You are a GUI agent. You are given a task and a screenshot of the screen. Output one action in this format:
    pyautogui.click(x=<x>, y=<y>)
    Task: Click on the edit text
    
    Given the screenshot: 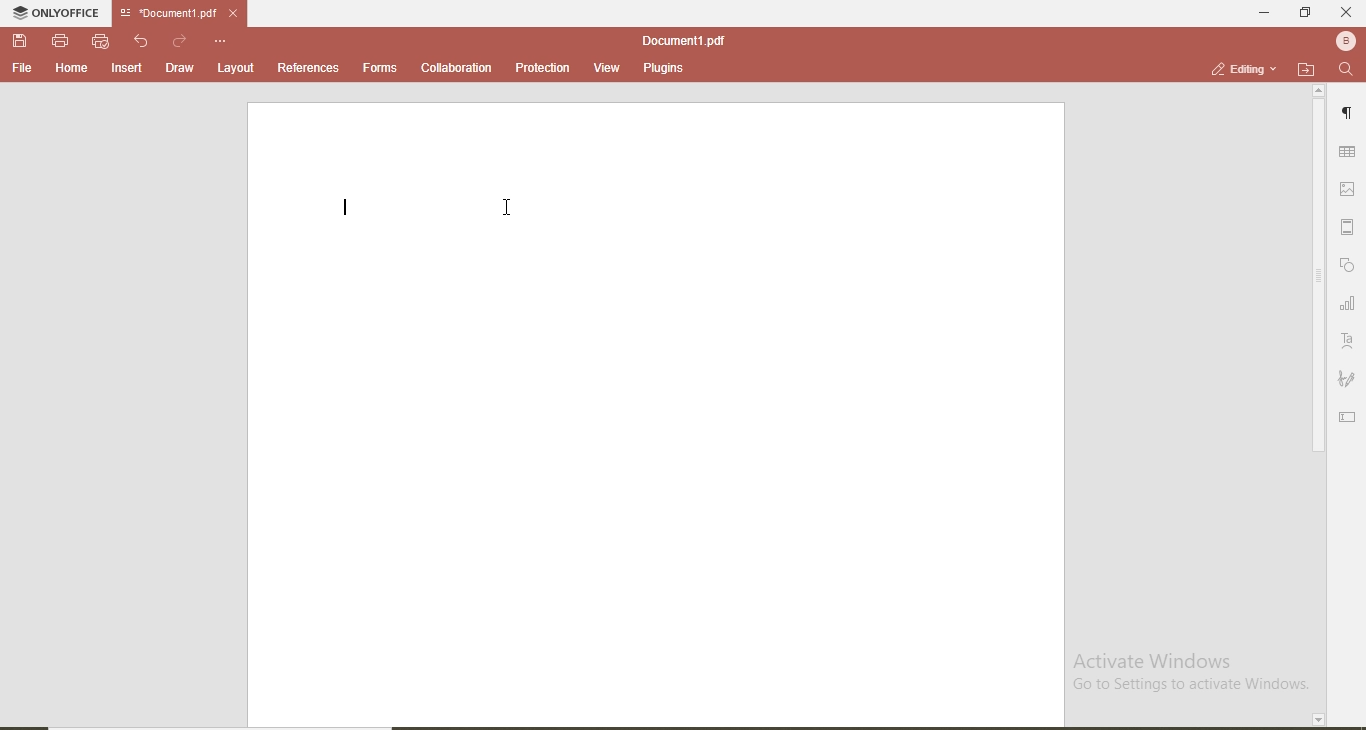 What is the action you would take?
    pyautogui.click(x=1347, y=418)
    